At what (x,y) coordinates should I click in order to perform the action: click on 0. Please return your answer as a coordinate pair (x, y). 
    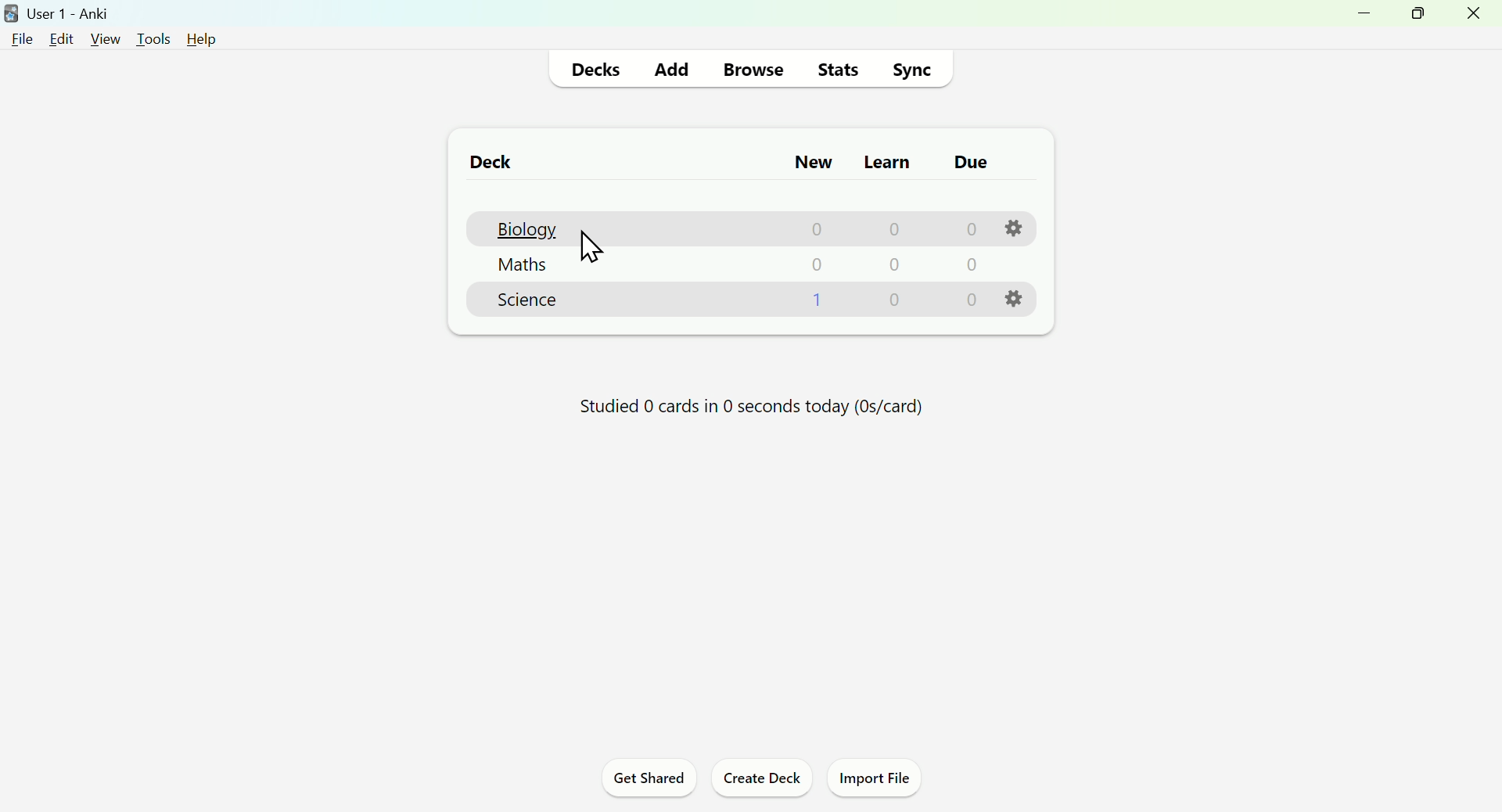
    Looking at the image, I should click on (967, 229).